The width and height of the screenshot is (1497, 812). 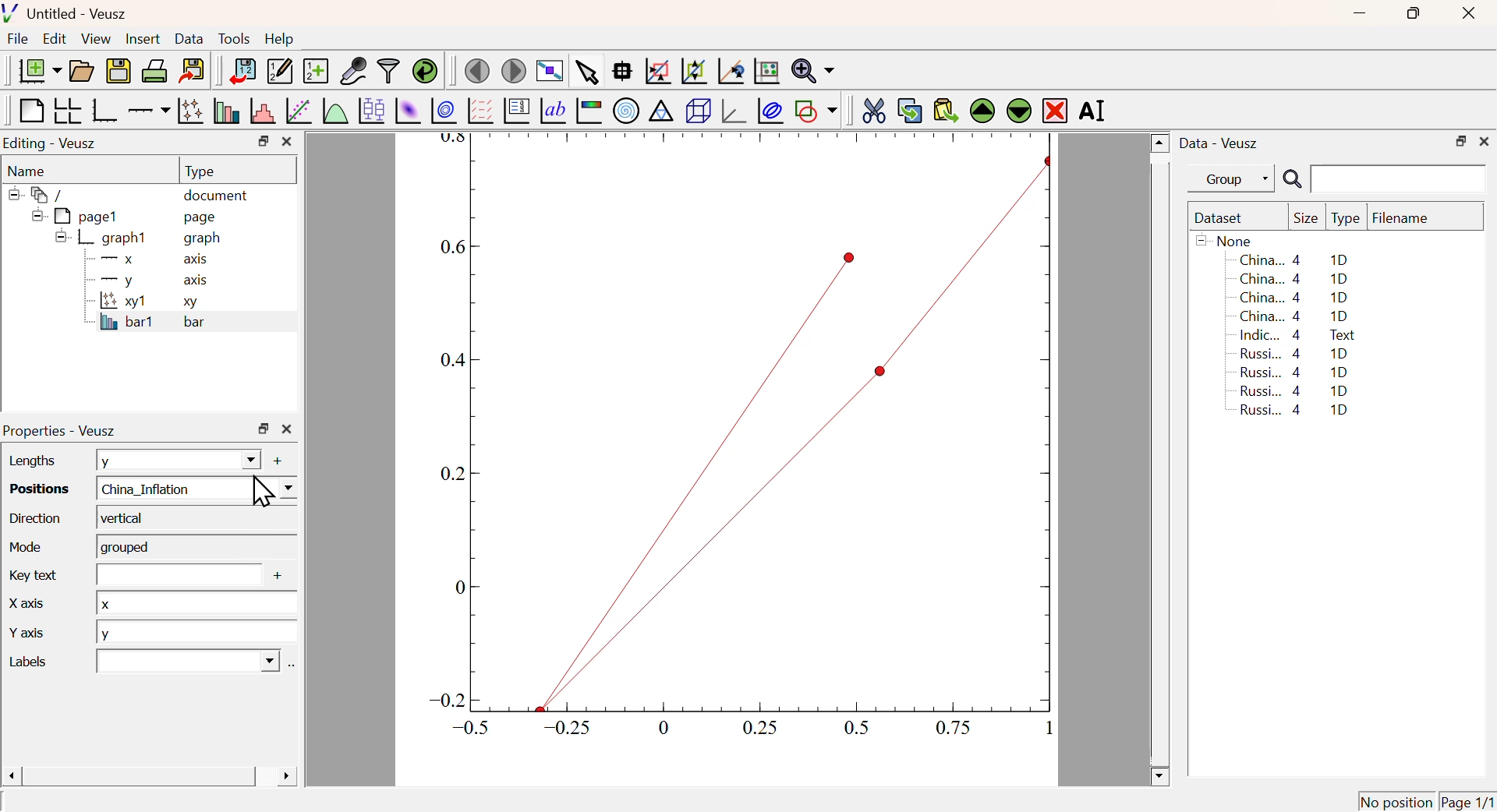 I want to click on China_Inflation, so click(x=189, y=487).